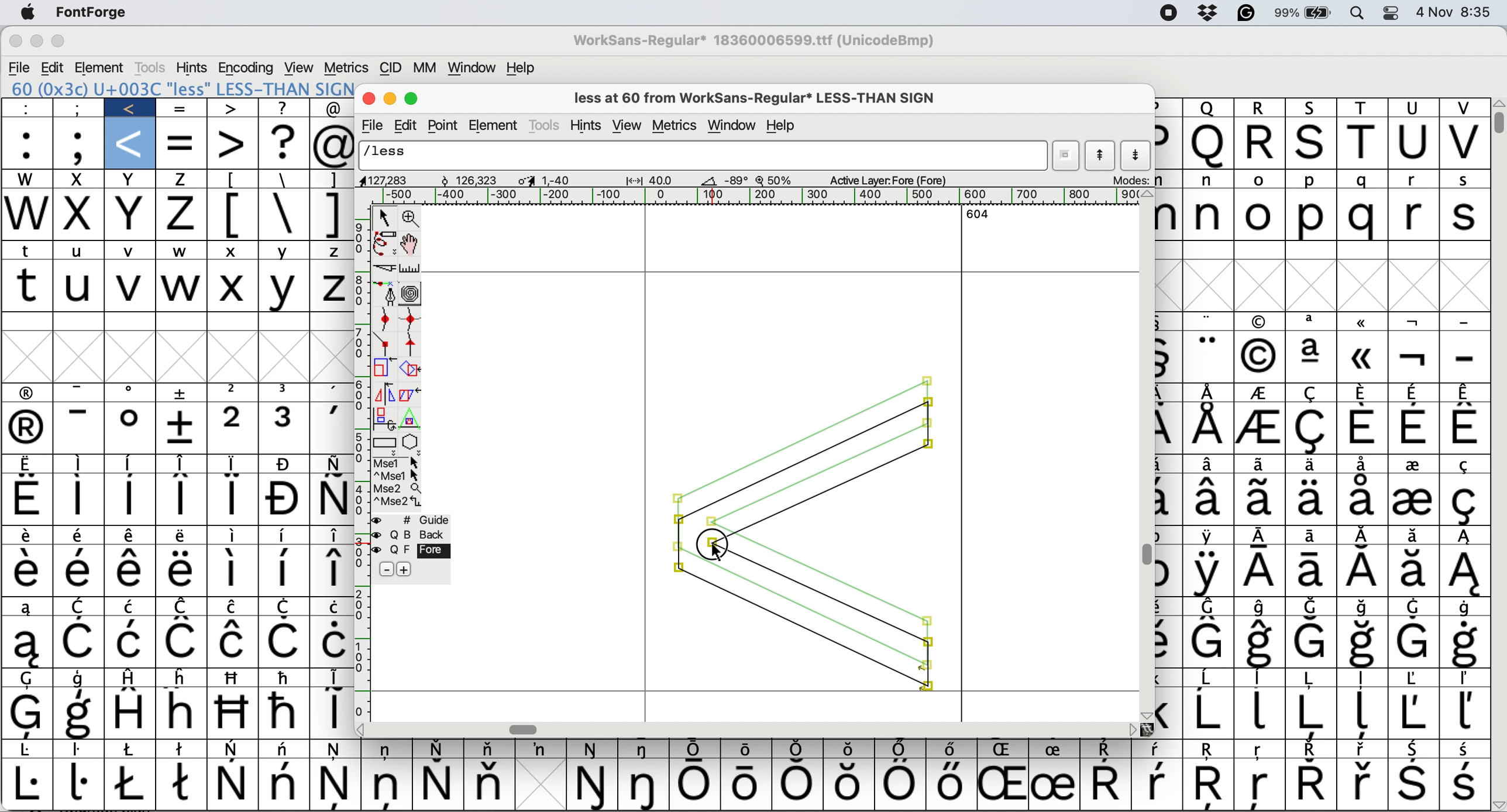 The width and height of the screenshot is (1507, 812). What do you see at coordinates (1464, 181) in the screenshot?
I see `s` at bounding box center [1464, 181].